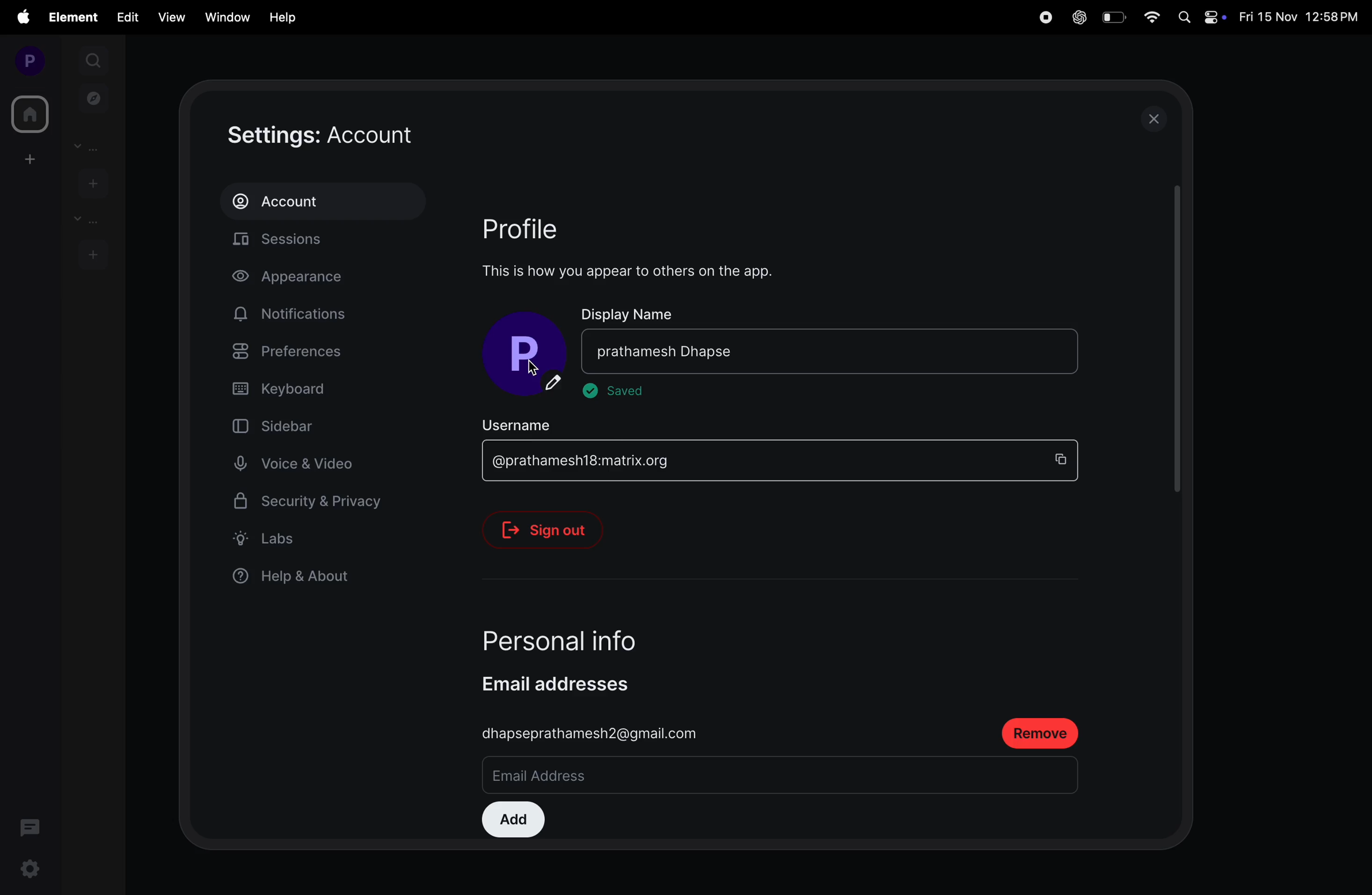 The height and width of the screenshot is (895, 1372). What do you see at coordinates (787, 349) in the screenshot?
I see `name` at bounding box center [787, 349].